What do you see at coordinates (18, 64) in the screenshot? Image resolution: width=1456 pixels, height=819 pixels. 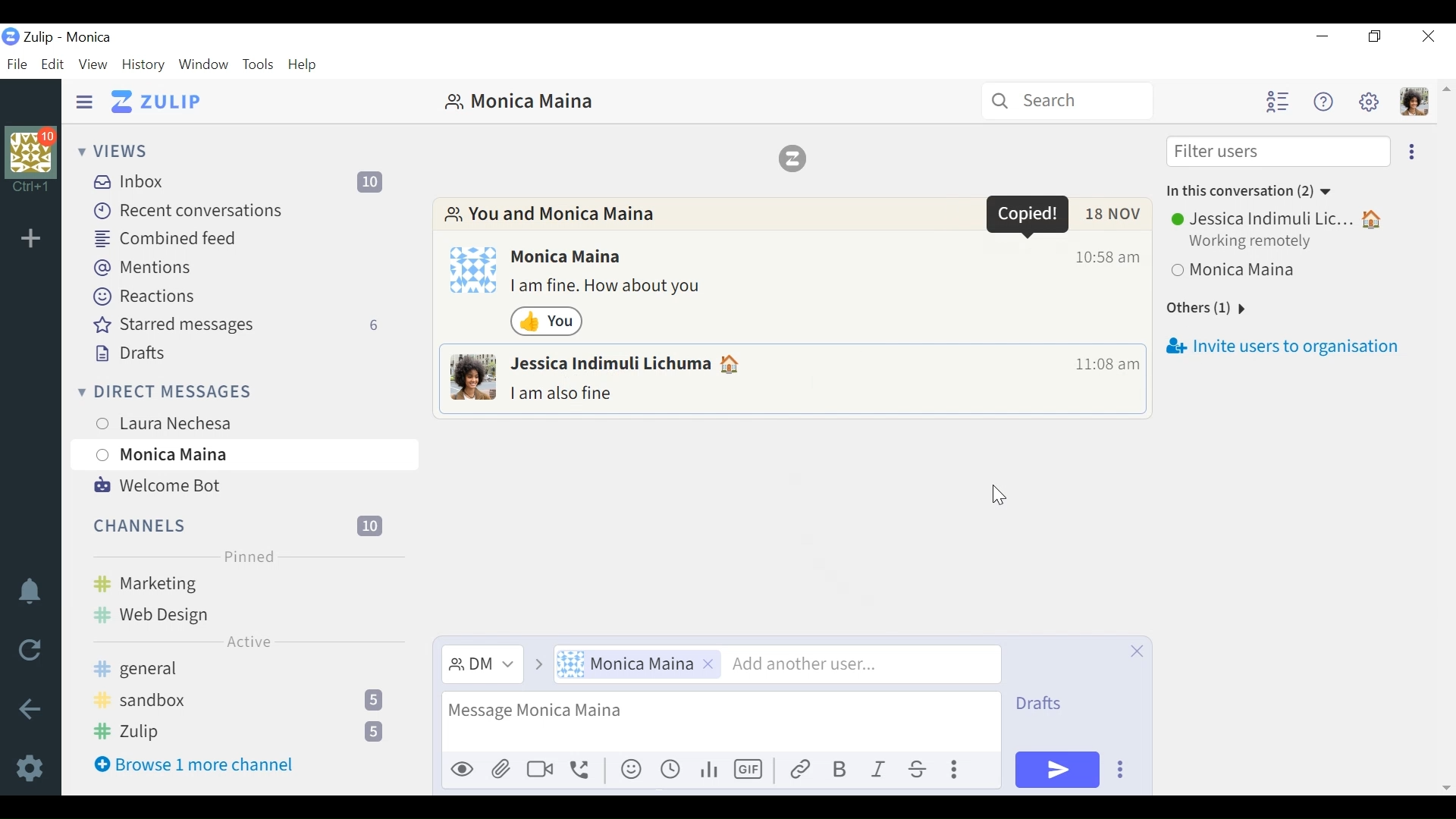 I see `File ` at bounding box center [18, 64].